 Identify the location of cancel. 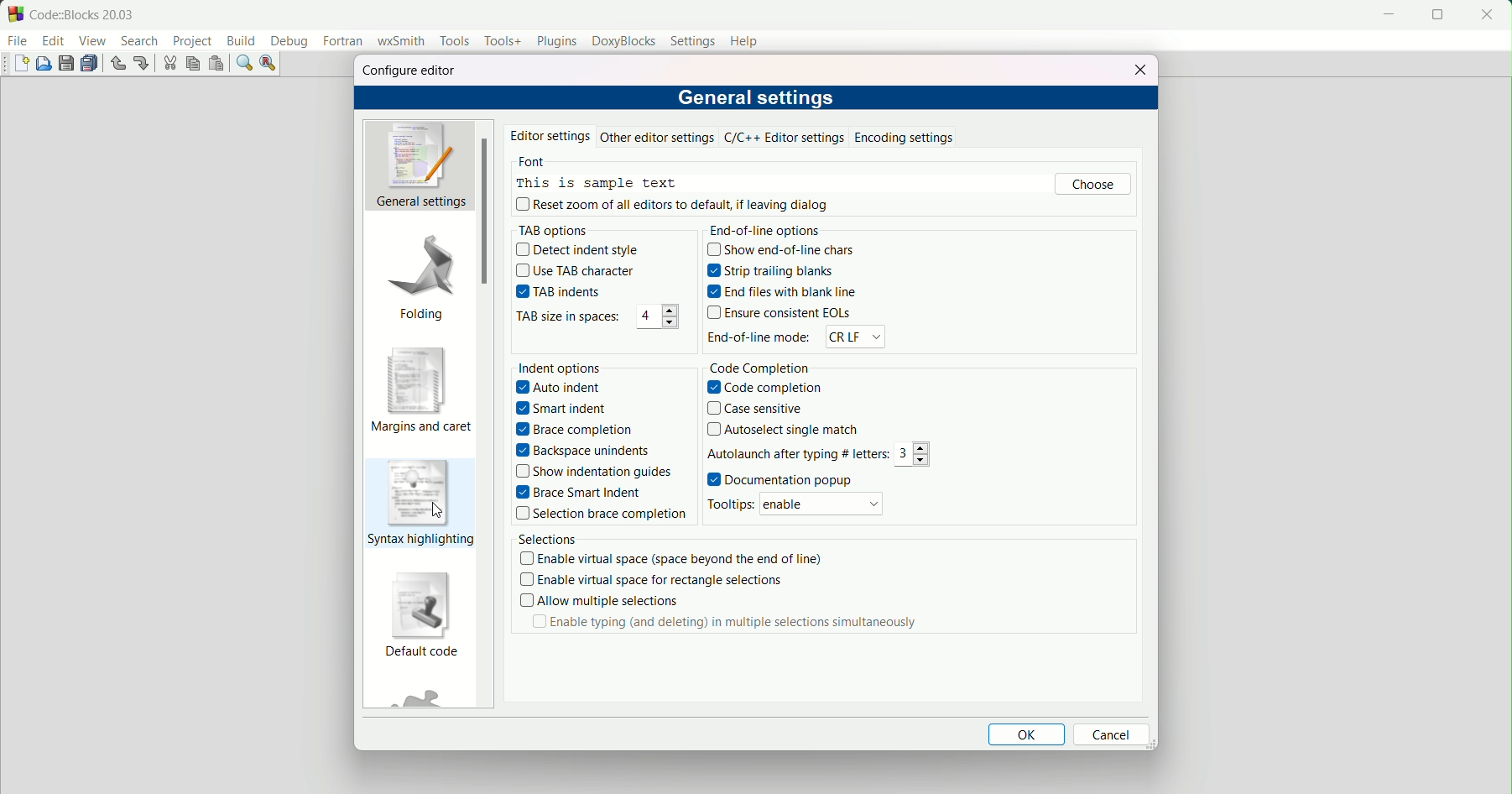
(1113, 734).